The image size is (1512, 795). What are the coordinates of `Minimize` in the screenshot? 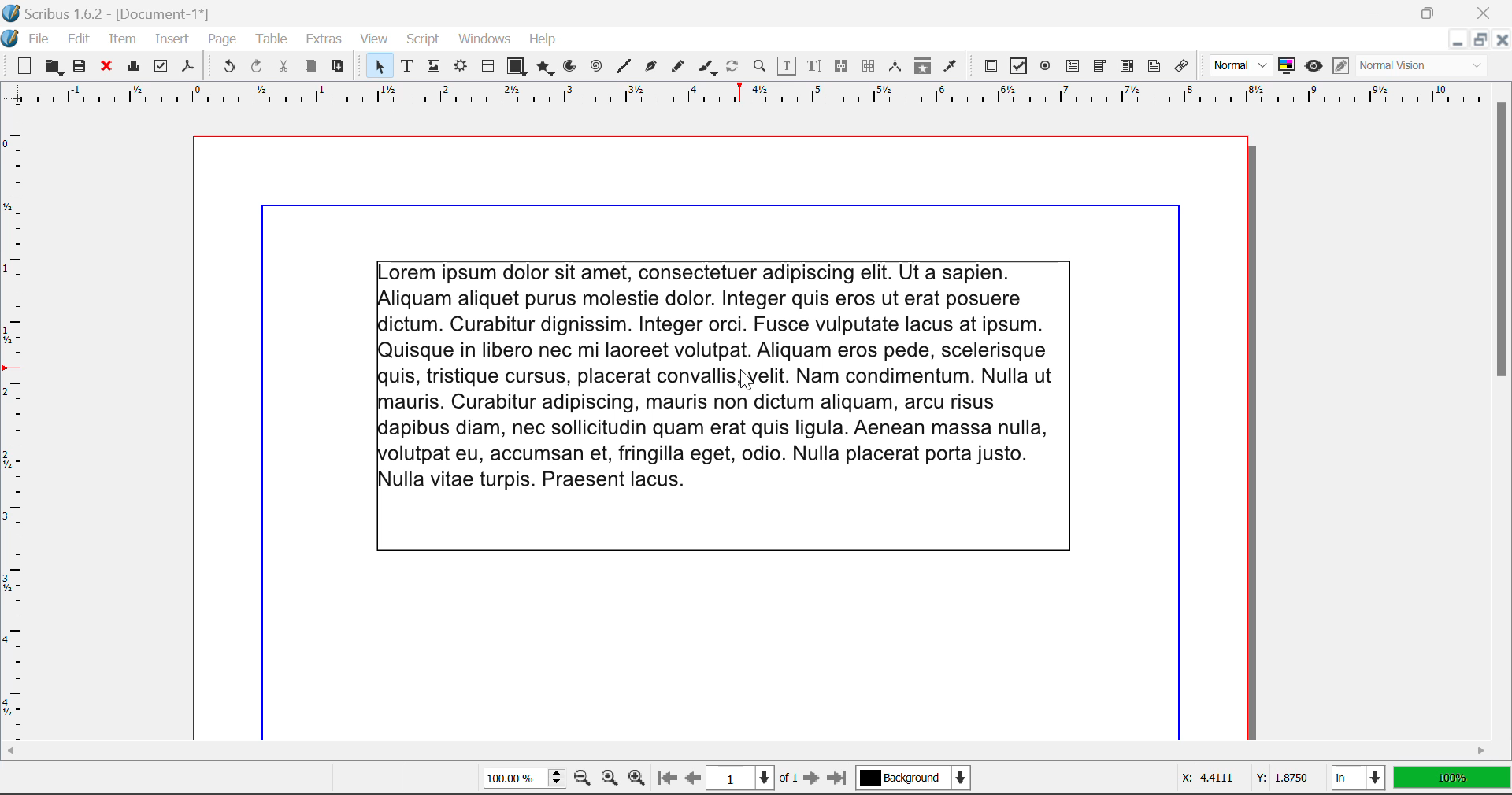 It's located at (1478, 39).